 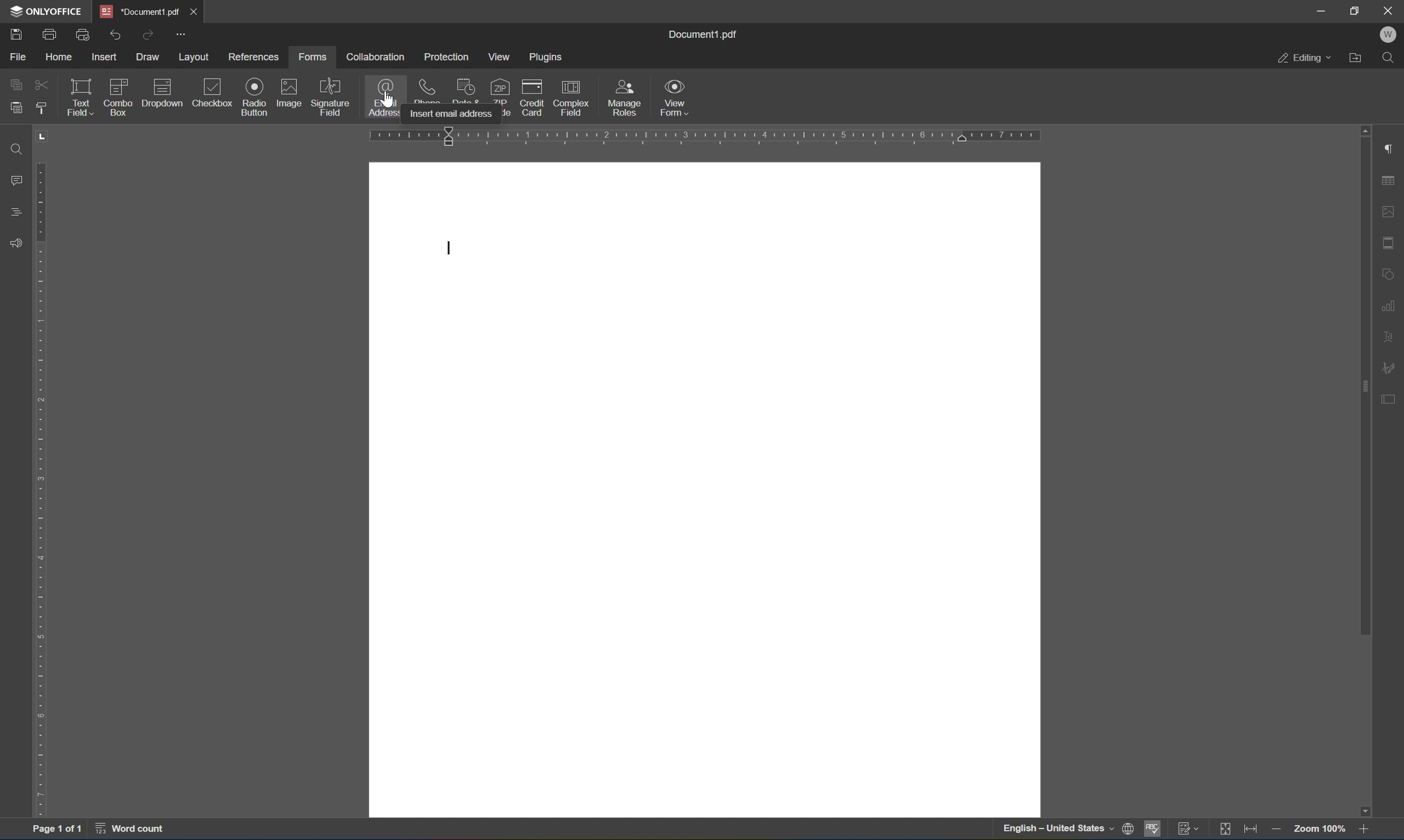 What do you see at coordinates (82, 97) in the screenshot?
I see `text field` at bounding box center [82, 97].